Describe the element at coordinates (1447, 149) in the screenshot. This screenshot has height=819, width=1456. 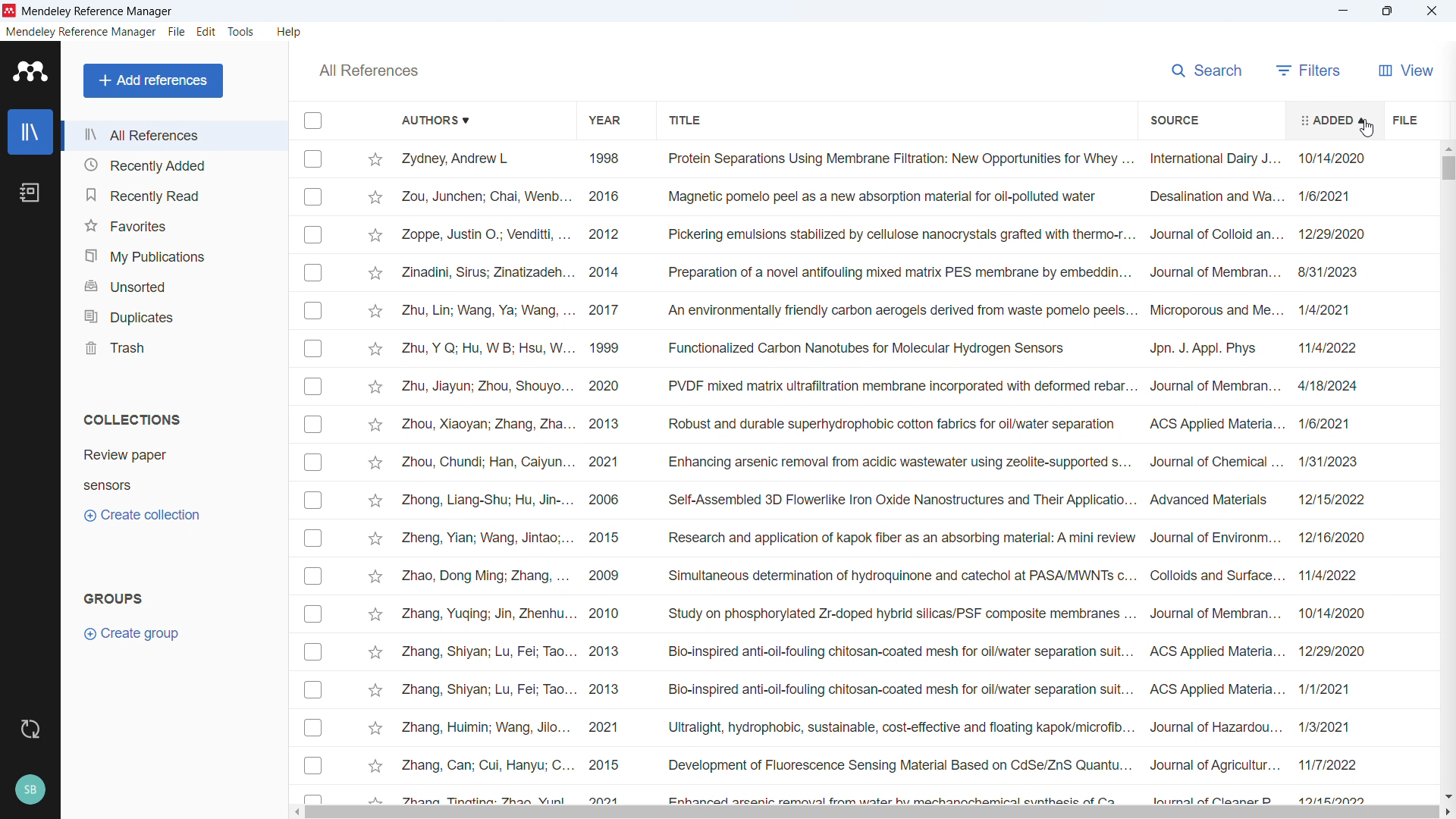
I see `Scroll up ` at that location.